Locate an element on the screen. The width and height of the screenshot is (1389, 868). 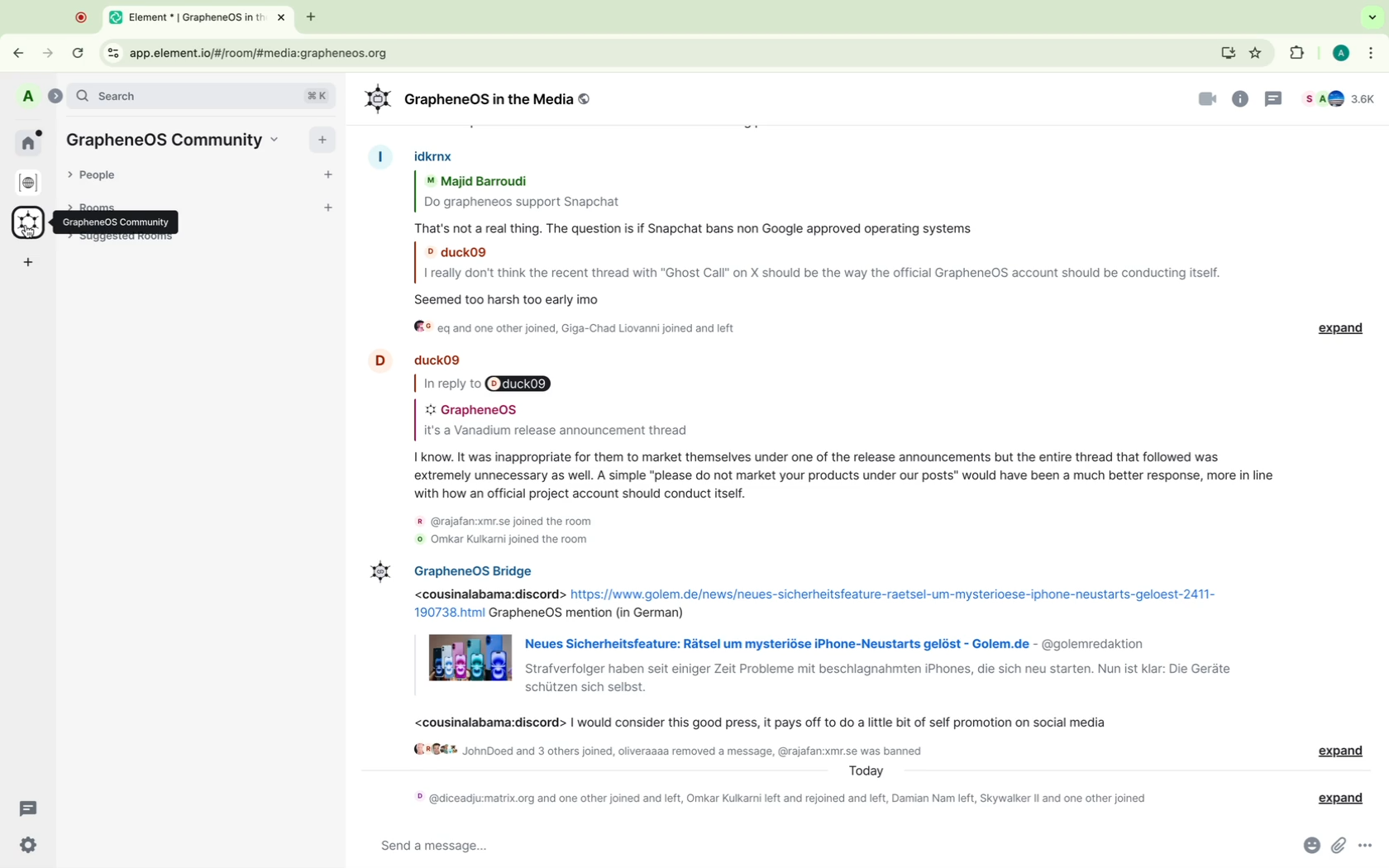
@rajafan:xmr.se joined the room Omar kulkarni joined the room is located at coordinates (508, 529).